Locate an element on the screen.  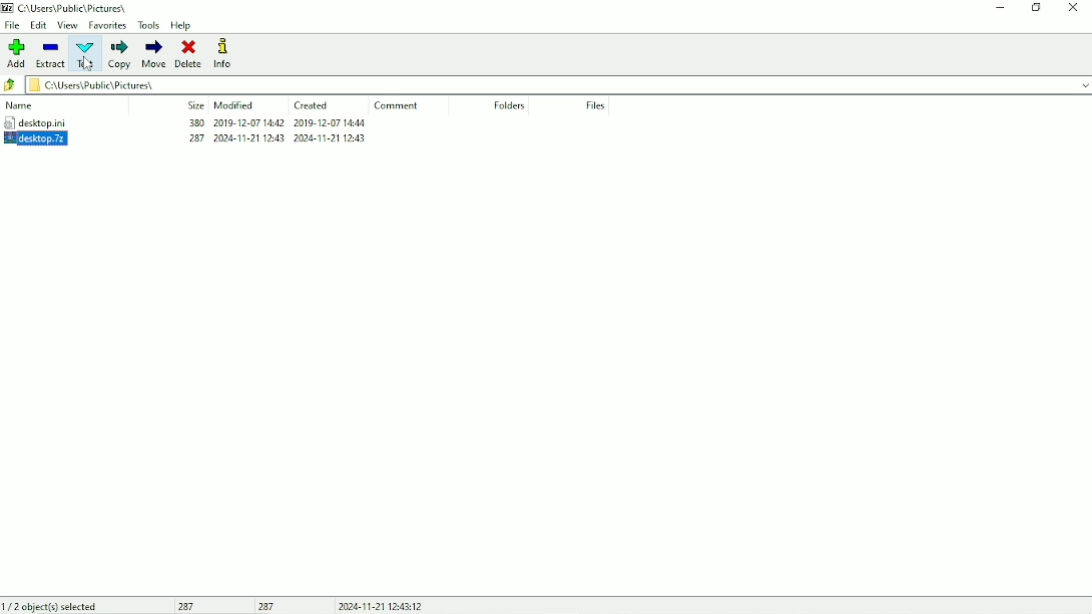
2024-11-21 12.43.12 is located at coordinates (381, 606).